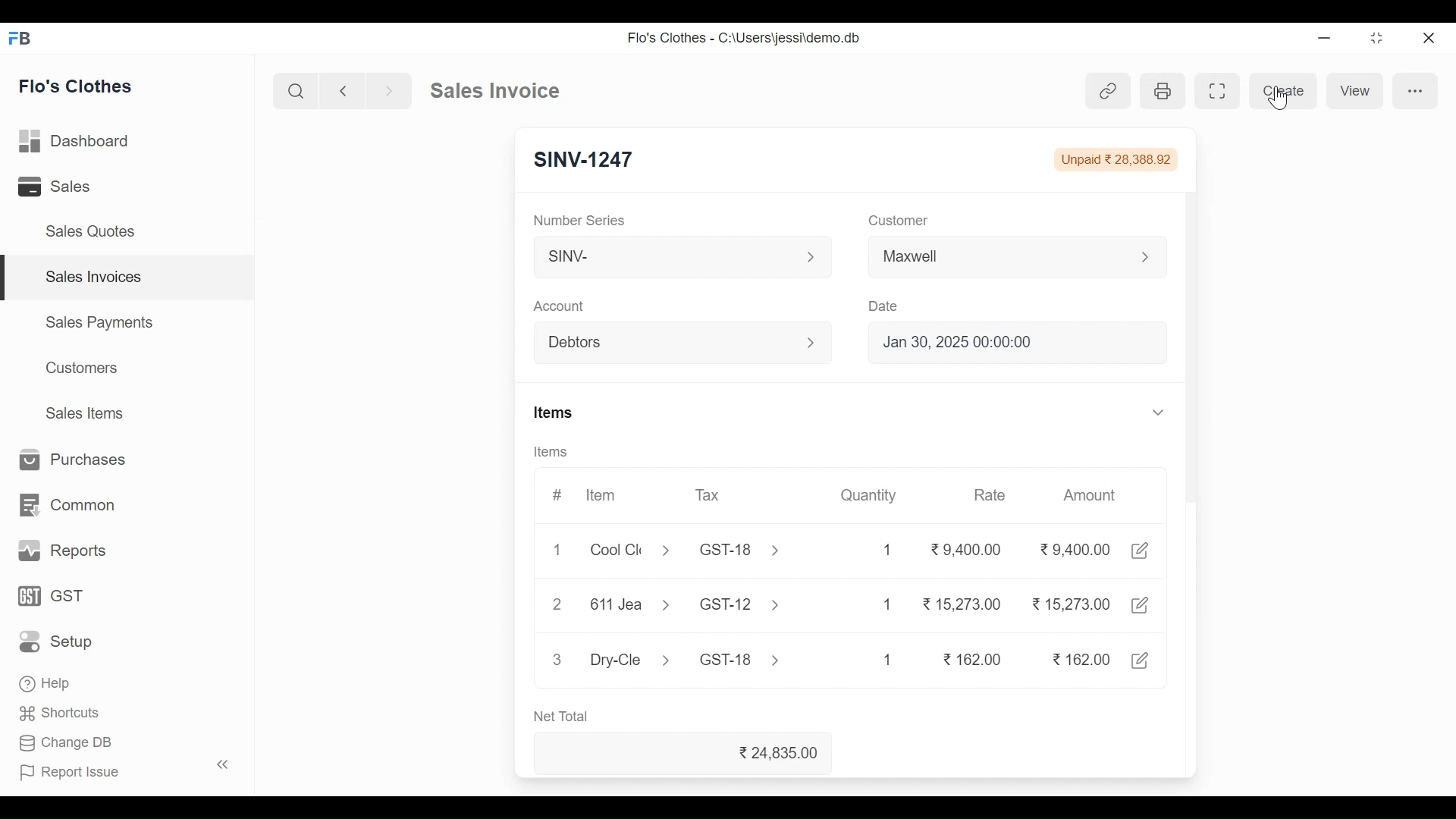  What do you see at coordinates (602, 496) in the screenshot?
I see `Item` at bounding box center [602, 496].